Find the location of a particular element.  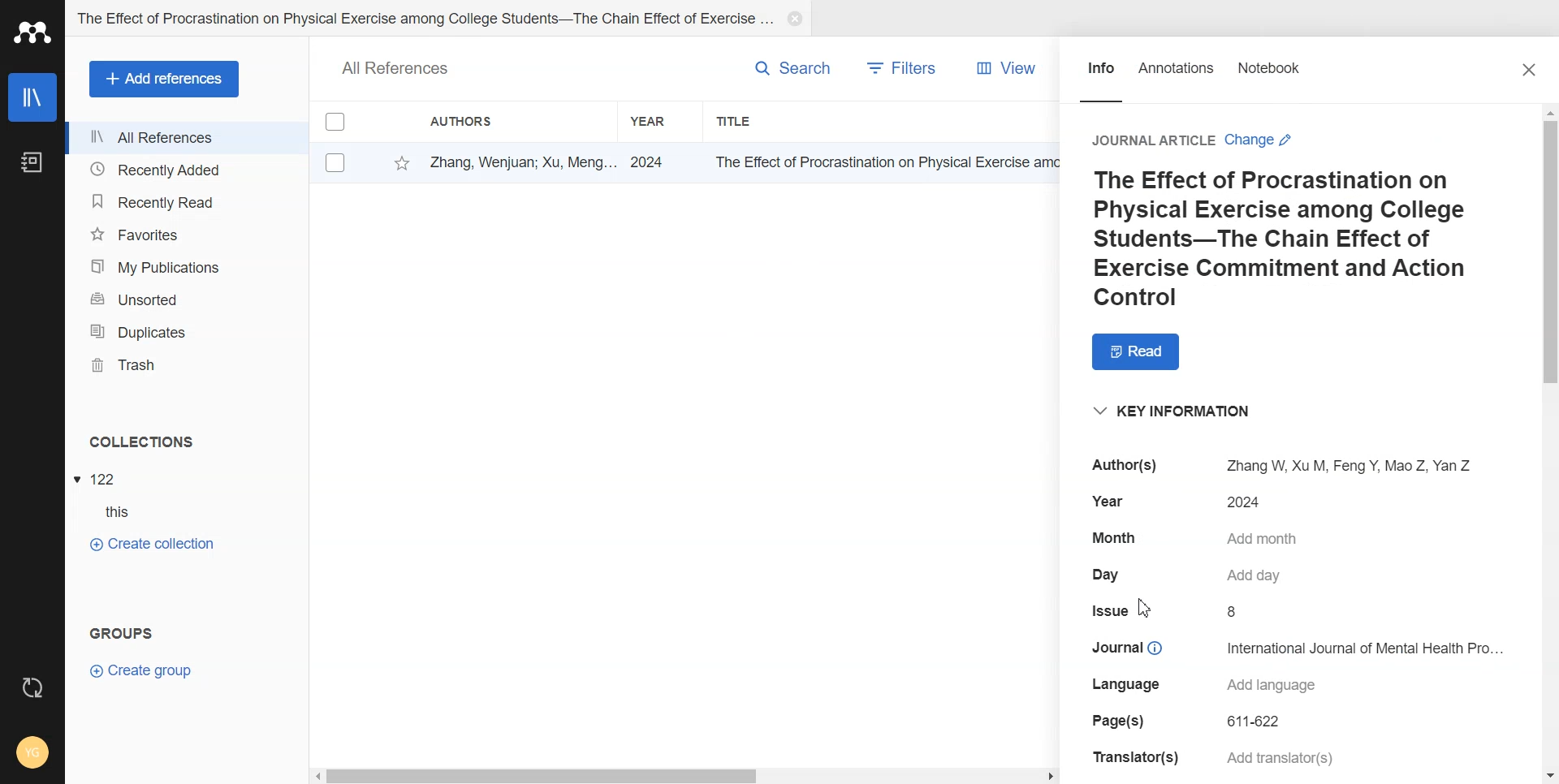

Check box is located at coordinates (335, 126).